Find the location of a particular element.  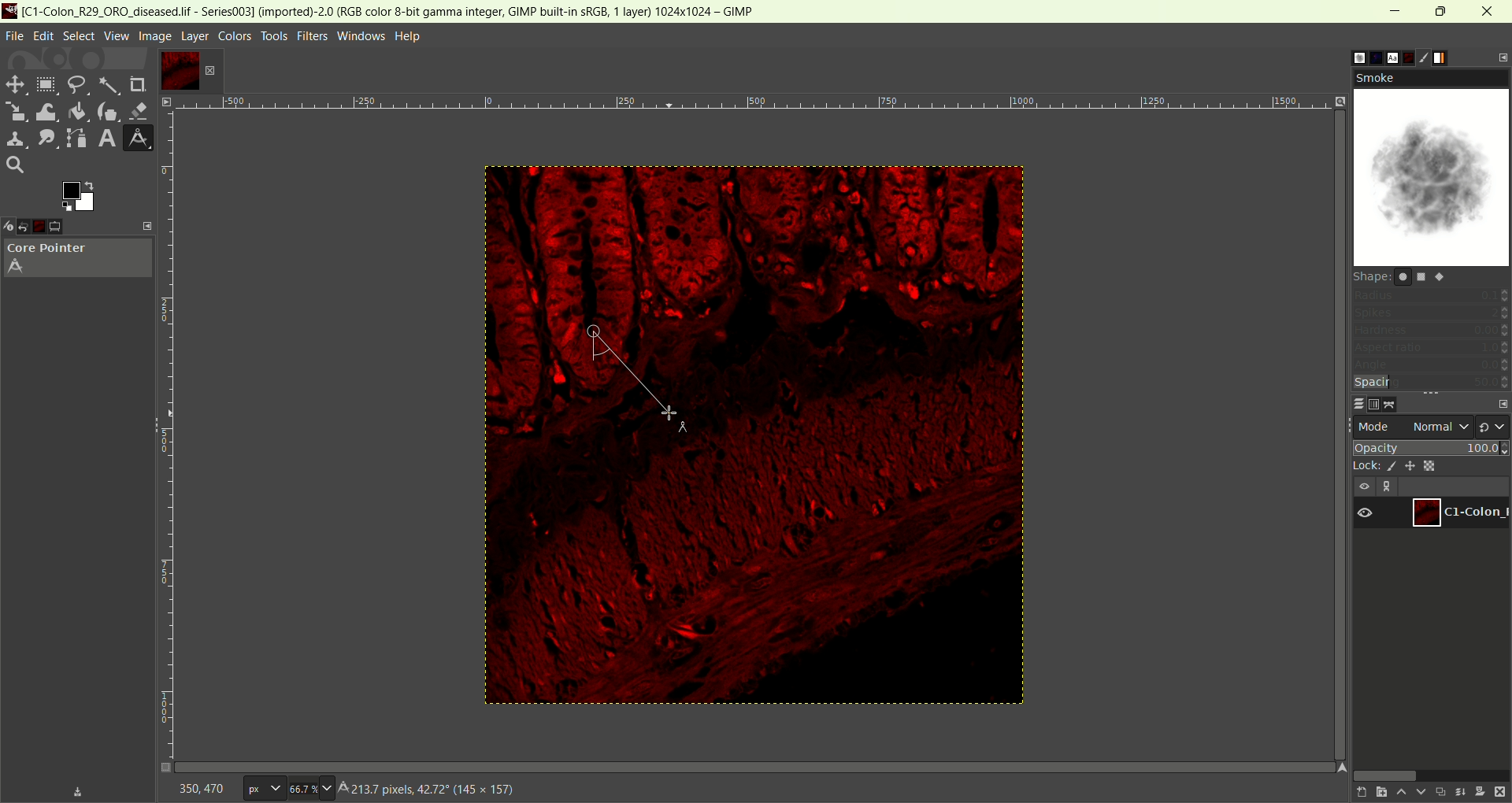

image is located at coordinates (154, 36).